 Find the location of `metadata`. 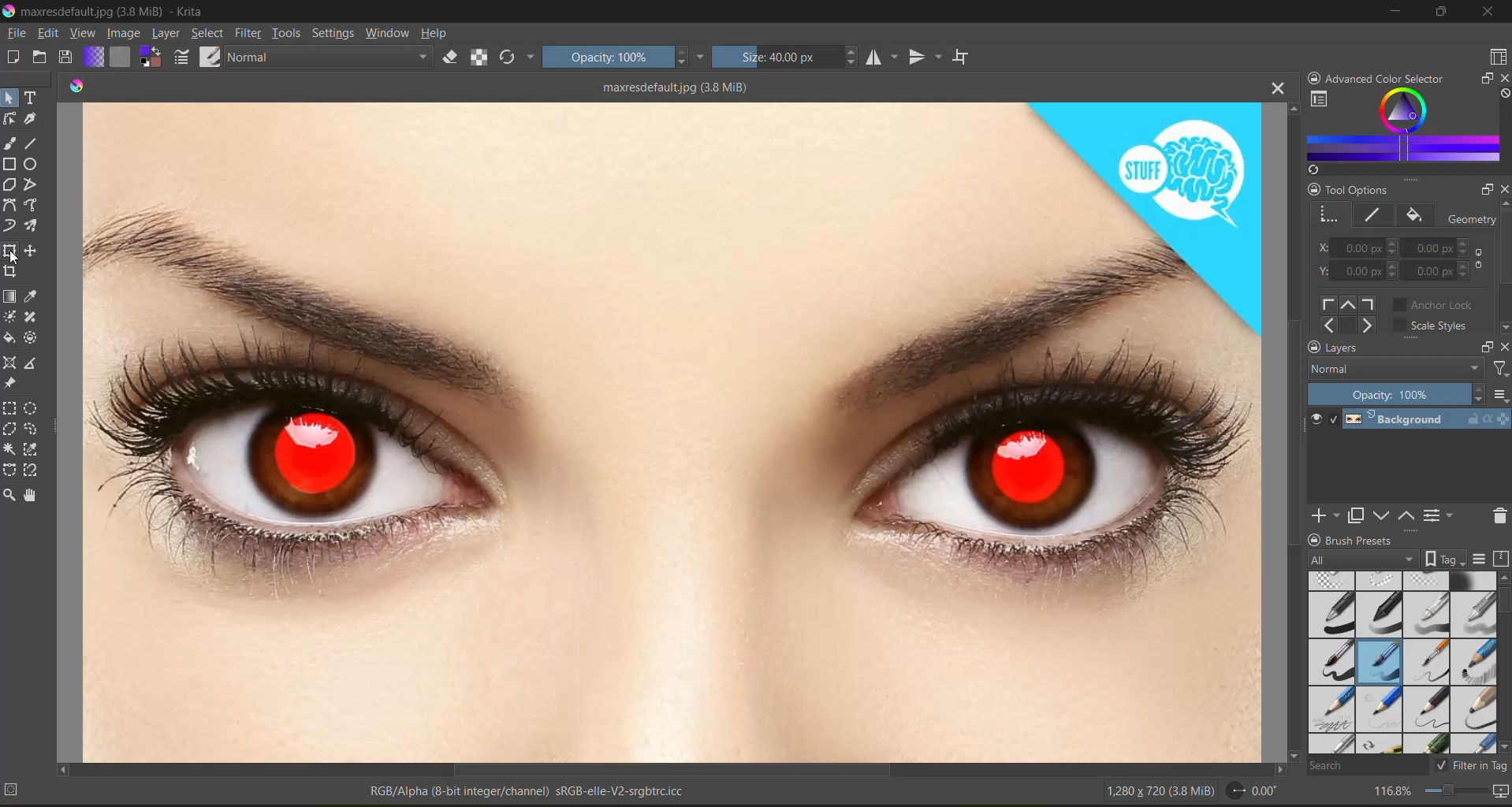

metadata is located at coordinates (348, 793).